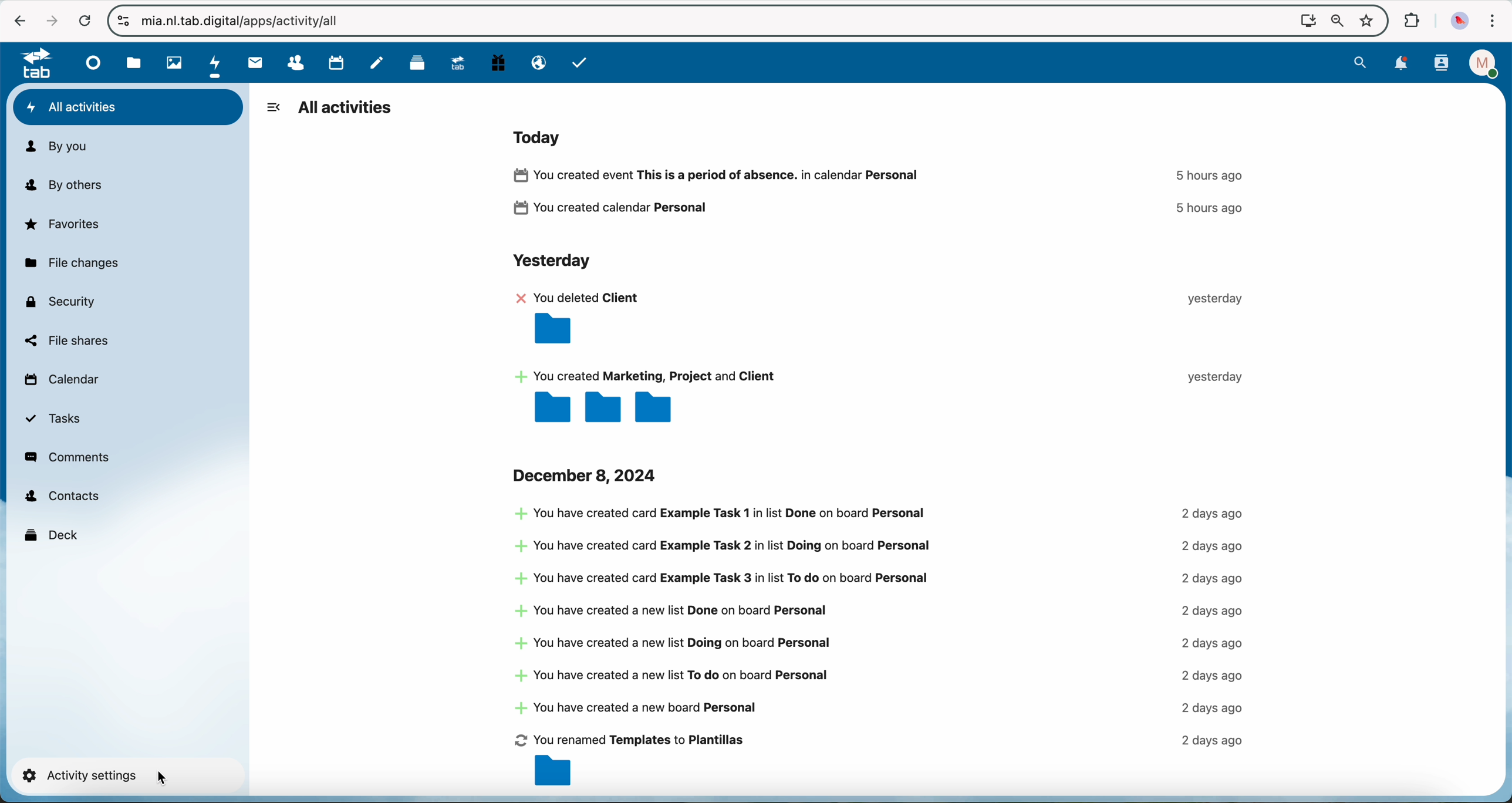 Image resolution: width=1512 pixels, height=803 pixels. I want to click on navigate foward, so click(50, 21).